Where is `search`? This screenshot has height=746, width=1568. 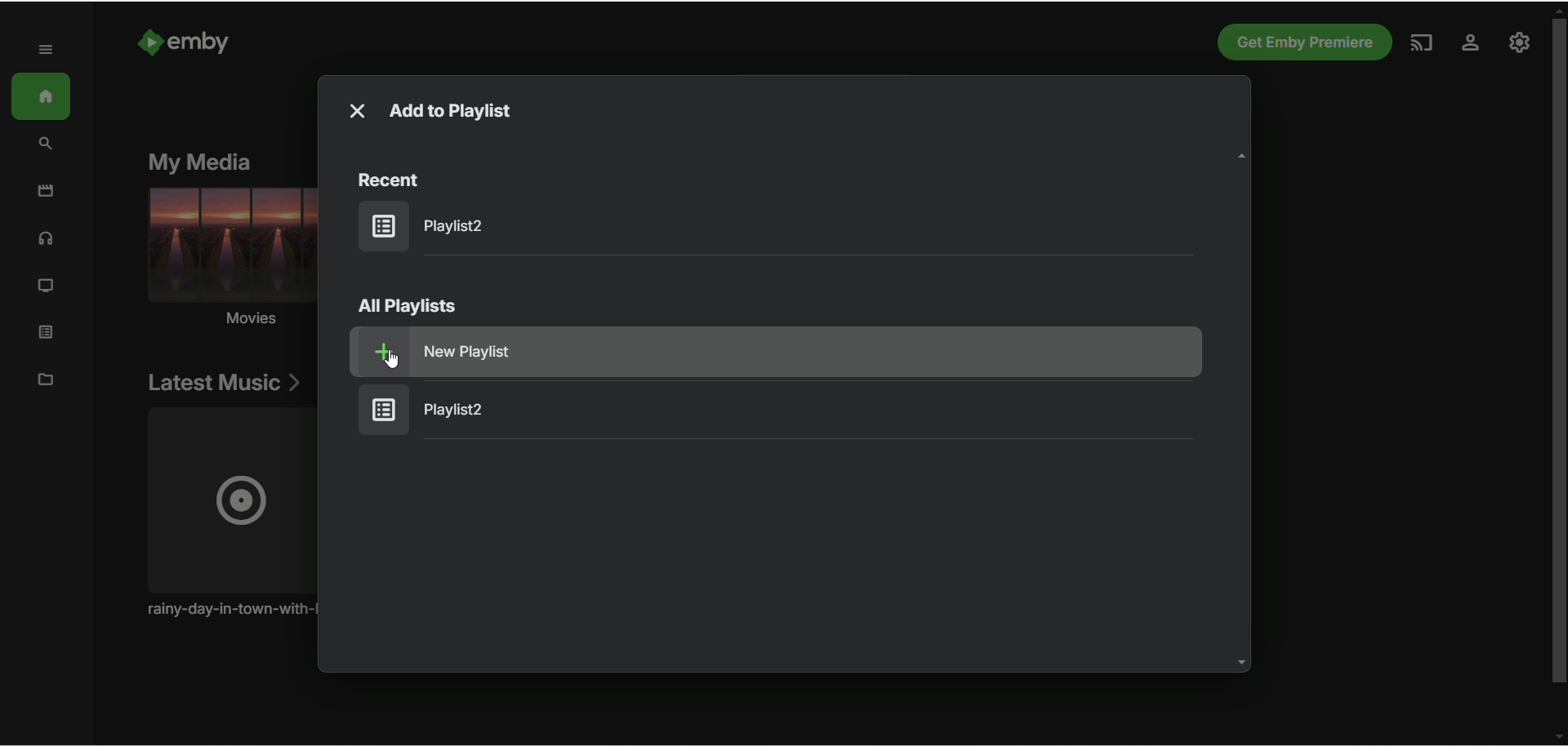 search is located at coordinates (48, 144).